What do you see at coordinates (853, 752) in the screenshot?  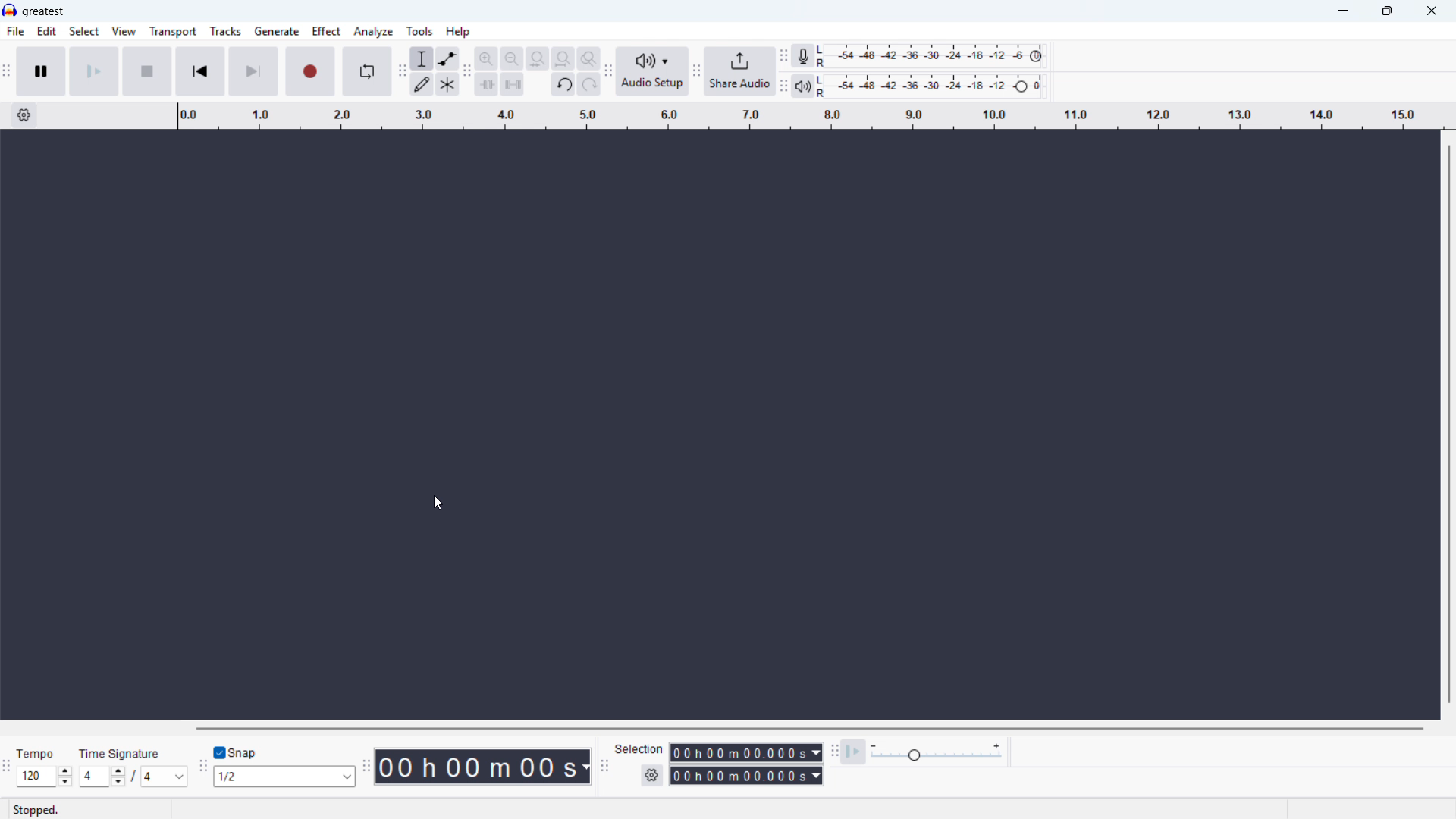 I see `Play at speed ` at bounding box center [853, 752].